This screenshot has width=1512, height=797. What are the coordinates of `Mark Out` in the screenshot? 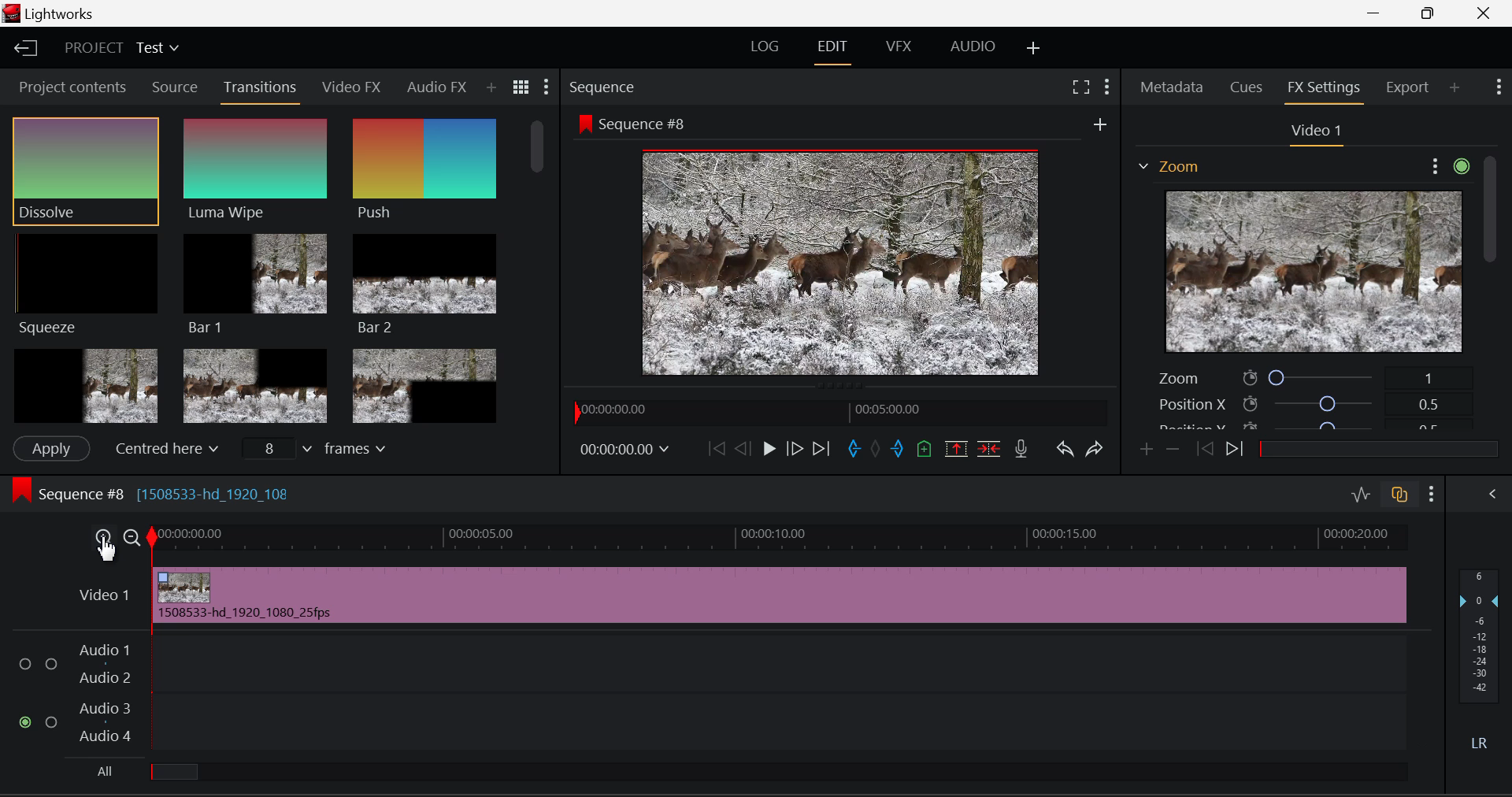 It's located at (896, 449).